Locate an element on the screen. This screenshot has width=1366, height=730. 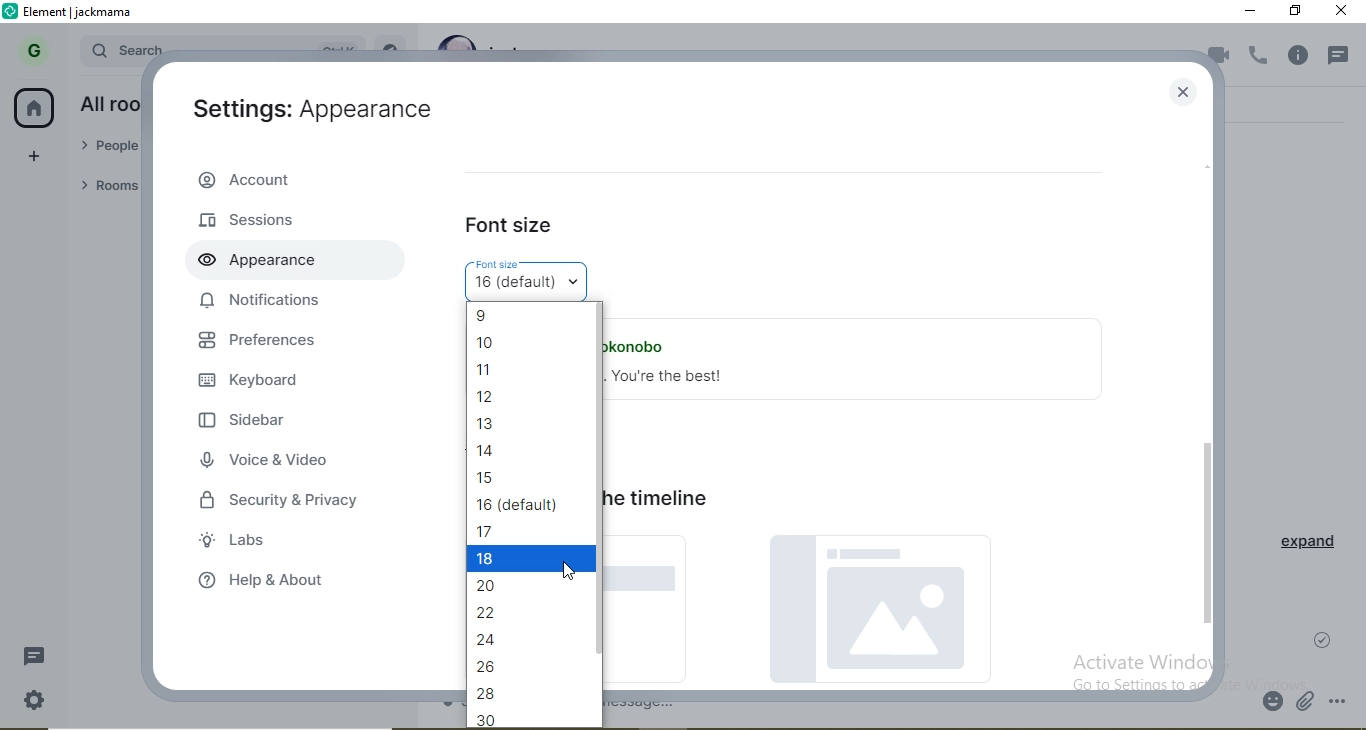
labs is located at coordinates (238, 538).